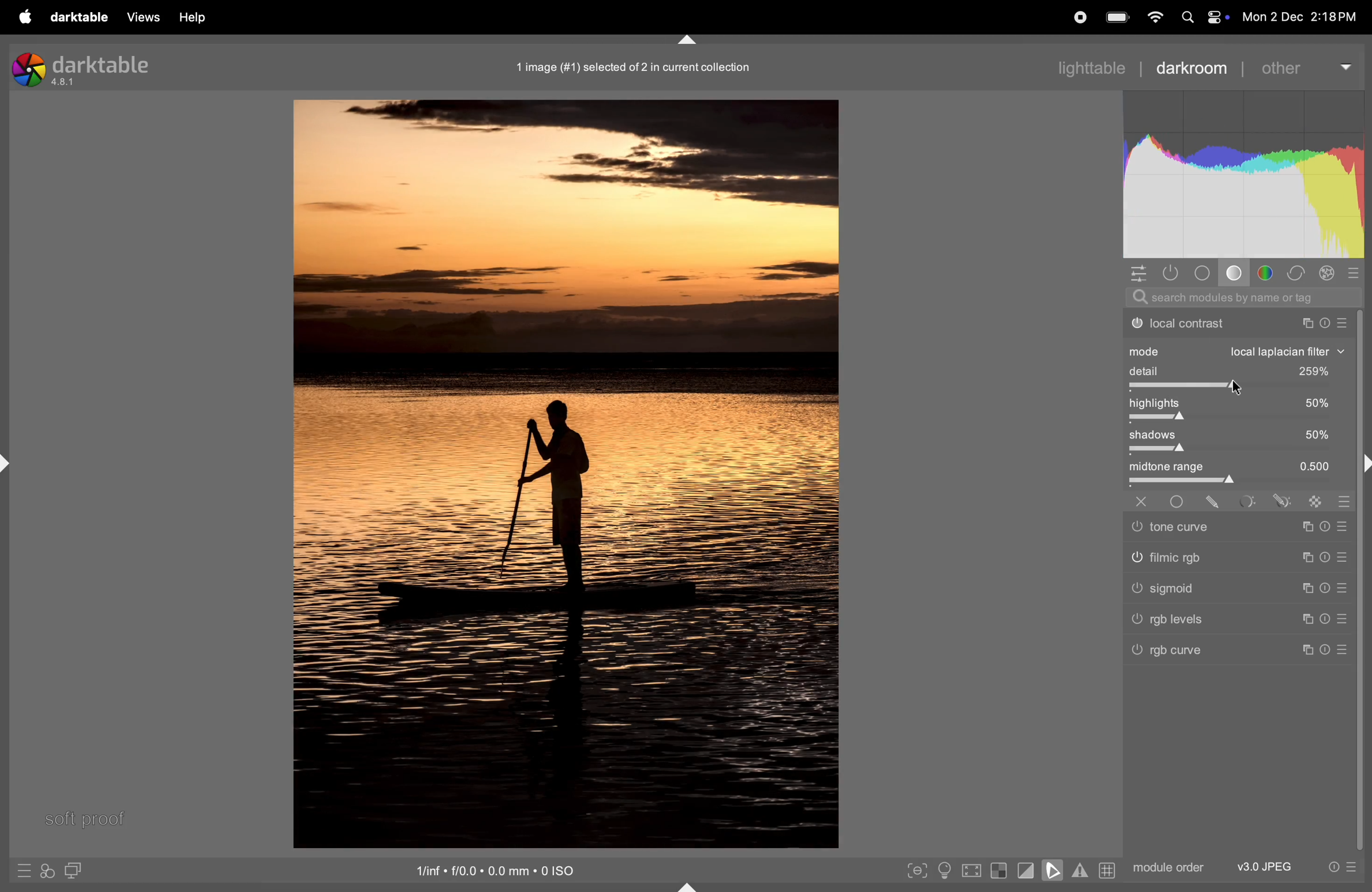  Describe the element at coordinates (1344, 560) in the screenshot. I see `sign` at that location.